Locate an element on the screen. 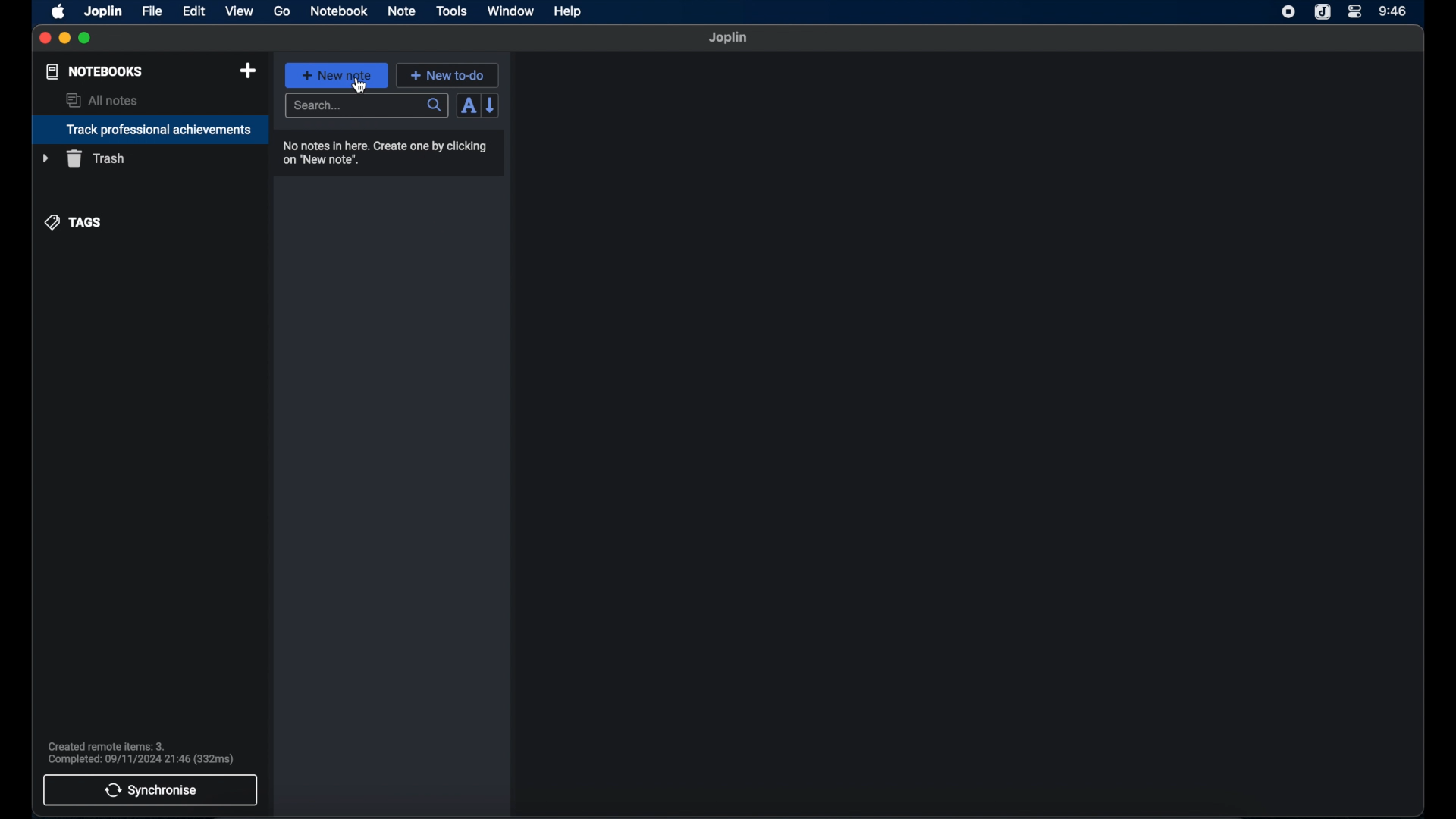 This screenshot has height=819, width=1456. apple icon is located at coordinates (59, 11).